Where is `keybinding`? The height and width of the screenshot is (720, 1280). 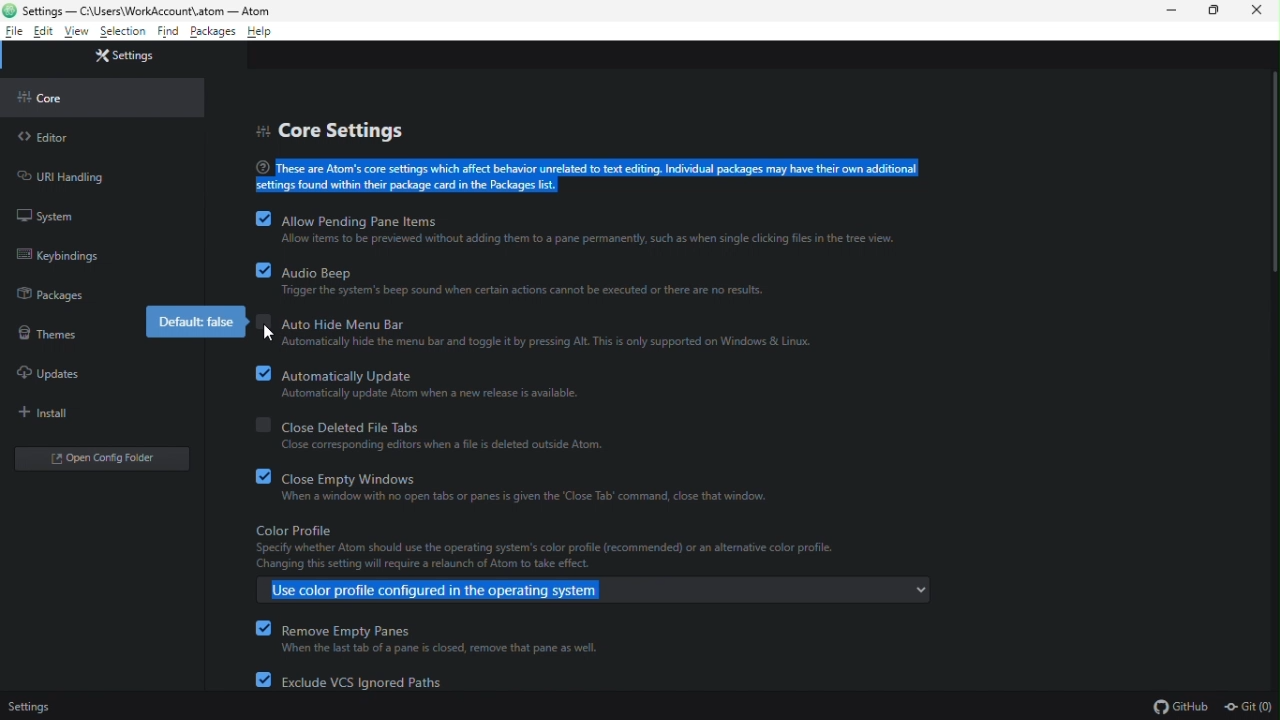 keybinding is located at coordinates (57, 256).